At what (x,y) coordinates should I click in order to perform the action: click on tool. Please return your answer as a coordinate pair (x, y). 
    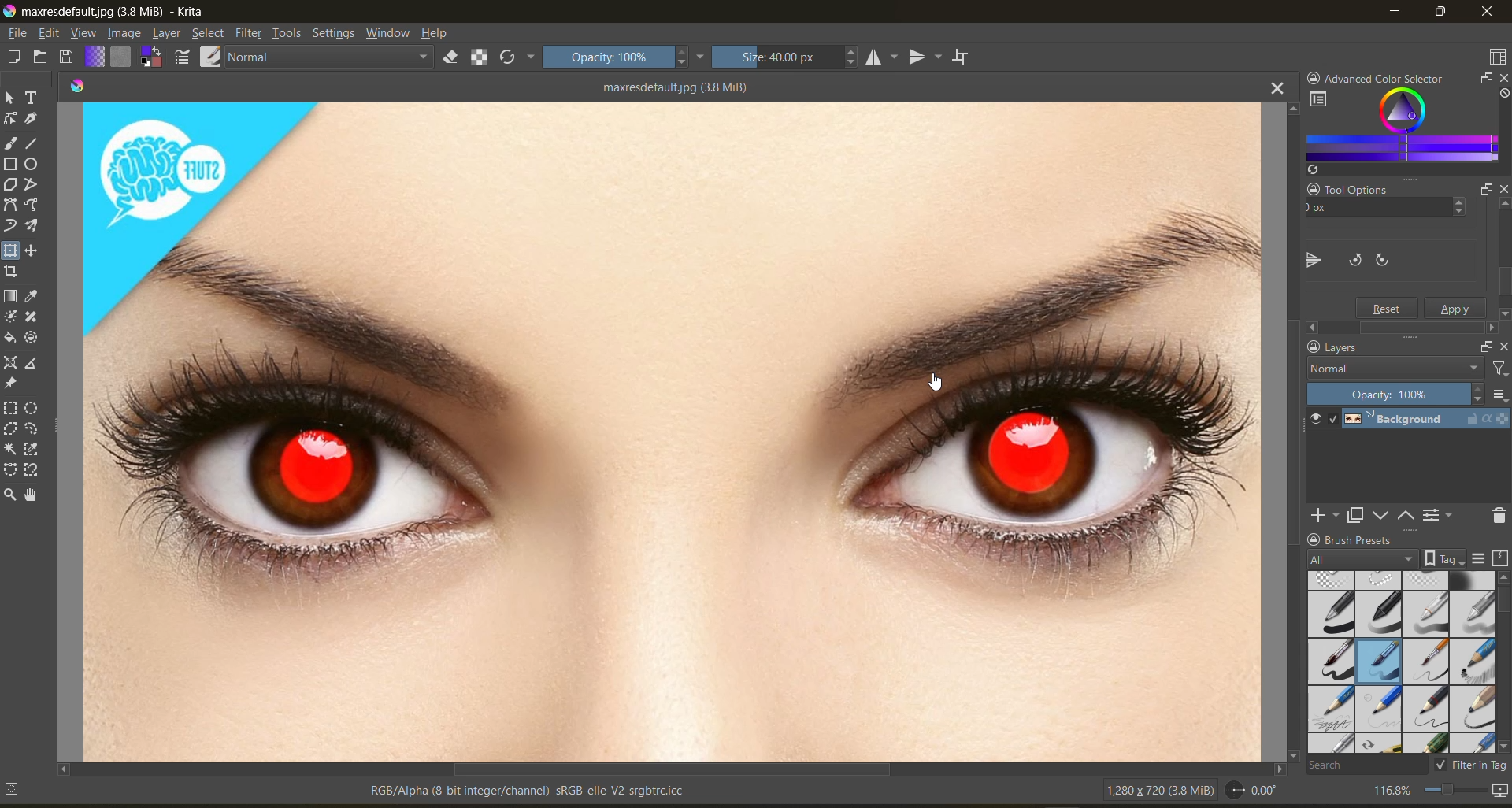
    Looking at the image, I should click on (31, 250).